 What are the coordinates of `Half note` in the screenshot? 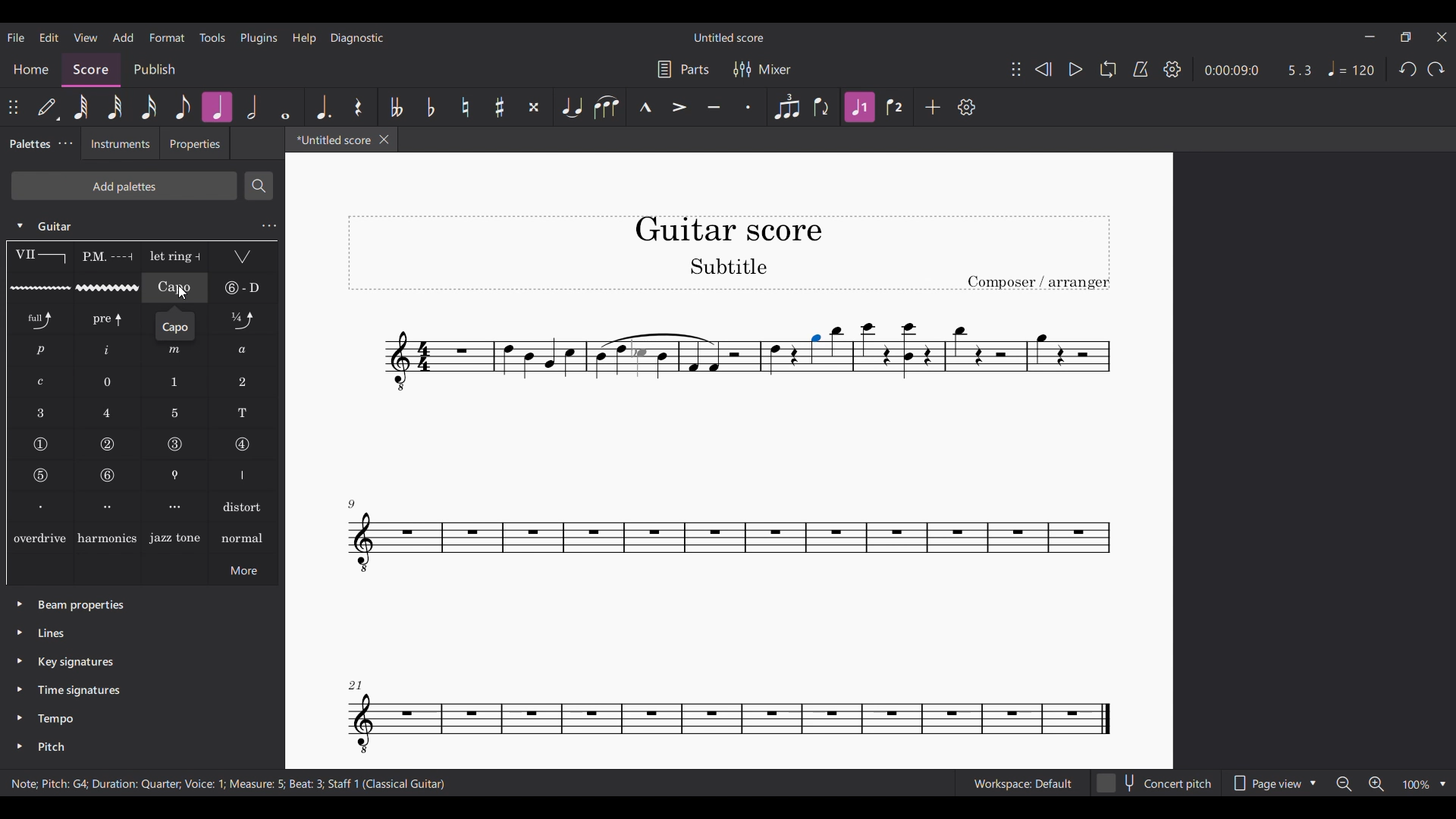 It's located at (253, 107).